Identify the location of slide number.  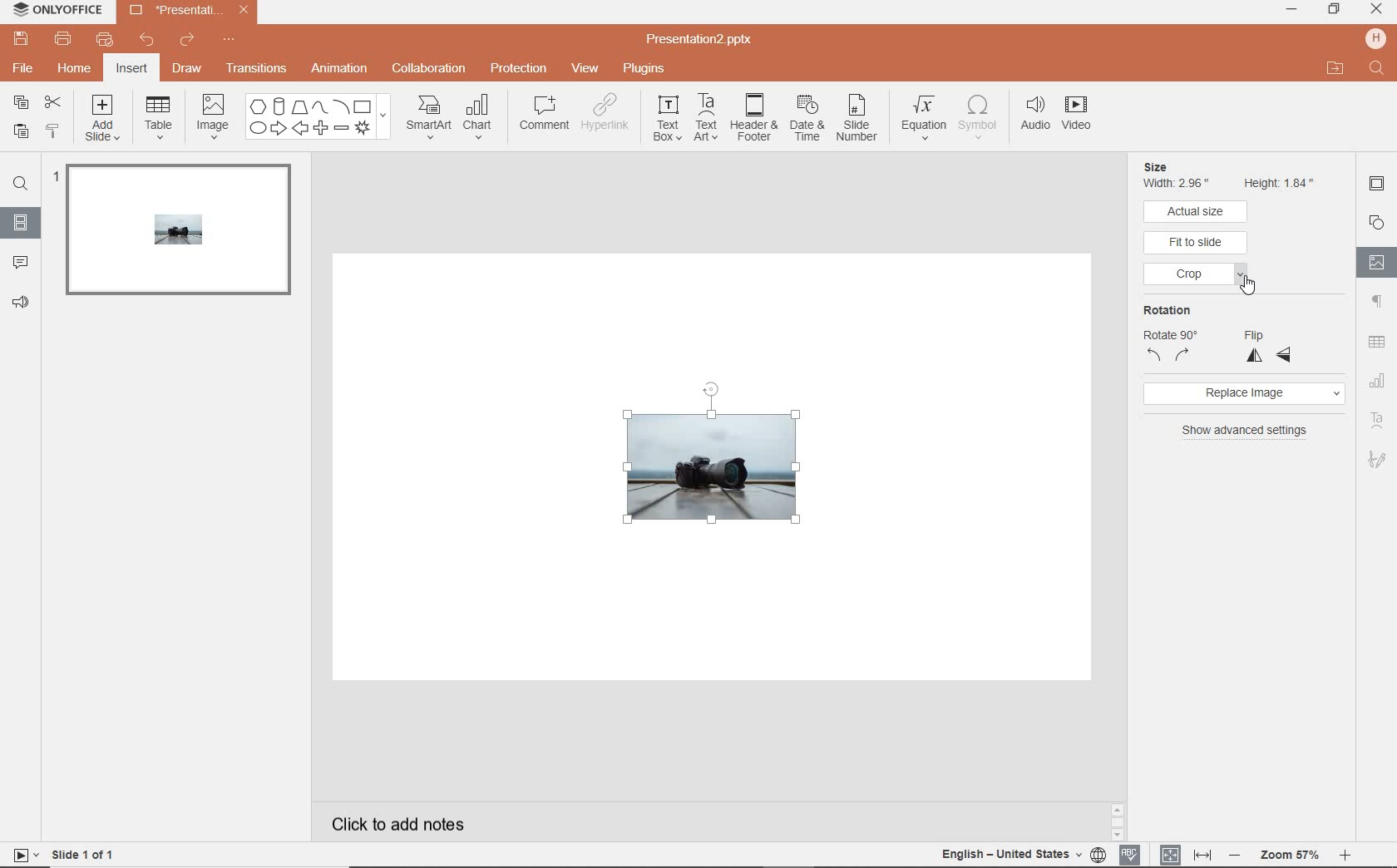
(860, 117).